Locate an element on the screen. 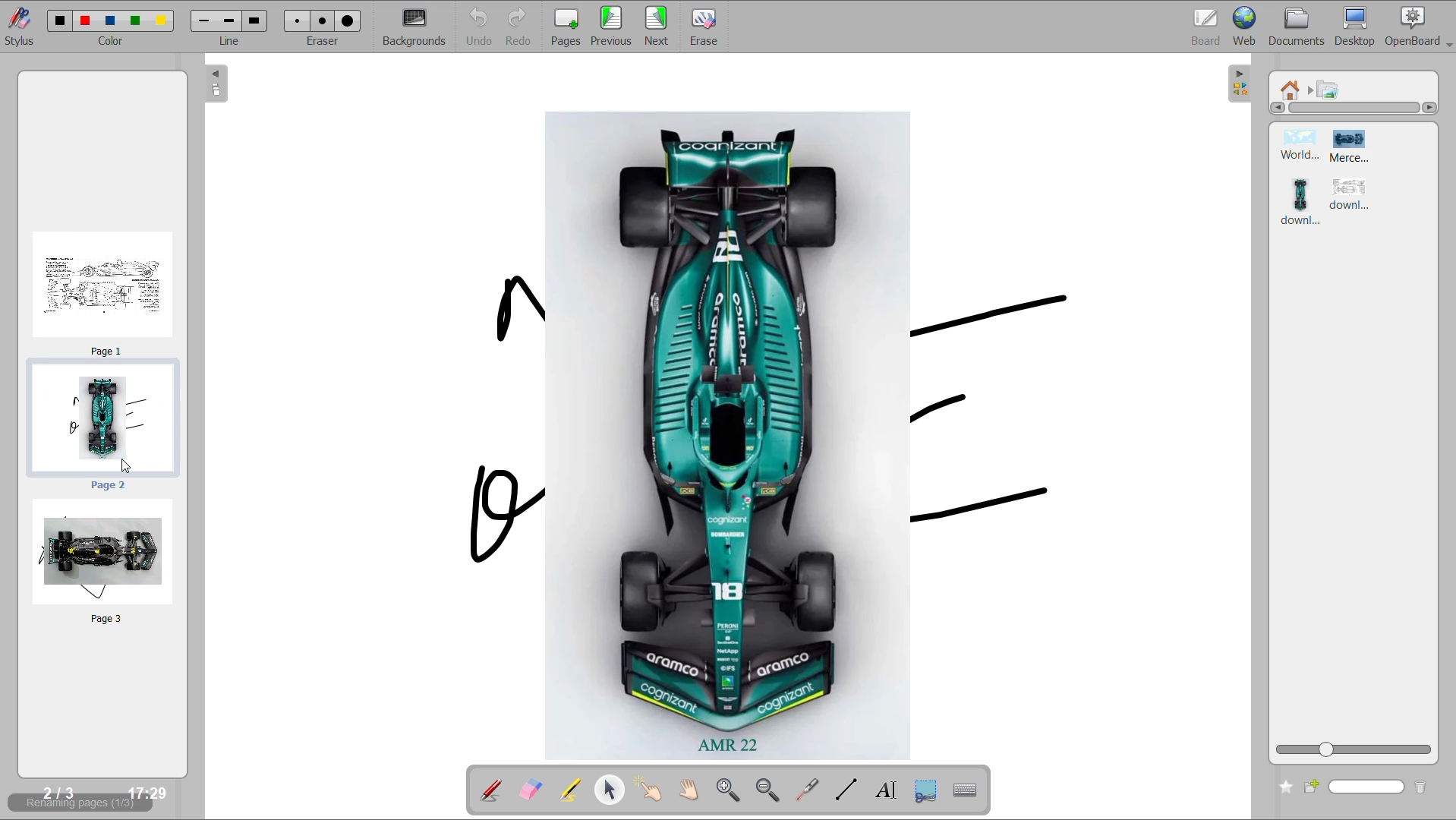 Image resolution: width=1456 pixels, height=820 pixels. annotate document is located at coordinates (484, 790).